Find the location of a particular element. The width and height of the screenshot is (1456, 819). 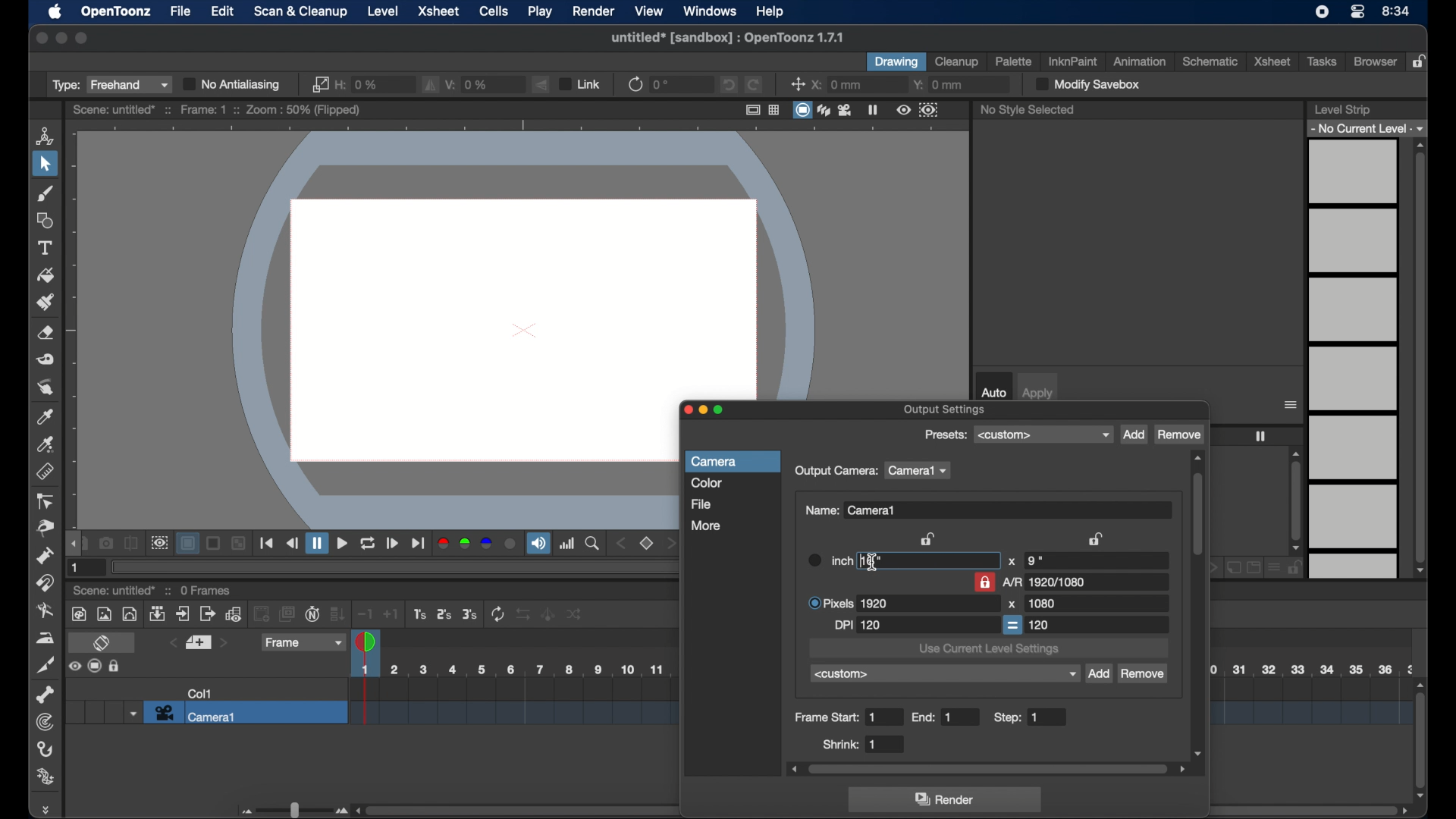

close is located at coordinates (685, 412).